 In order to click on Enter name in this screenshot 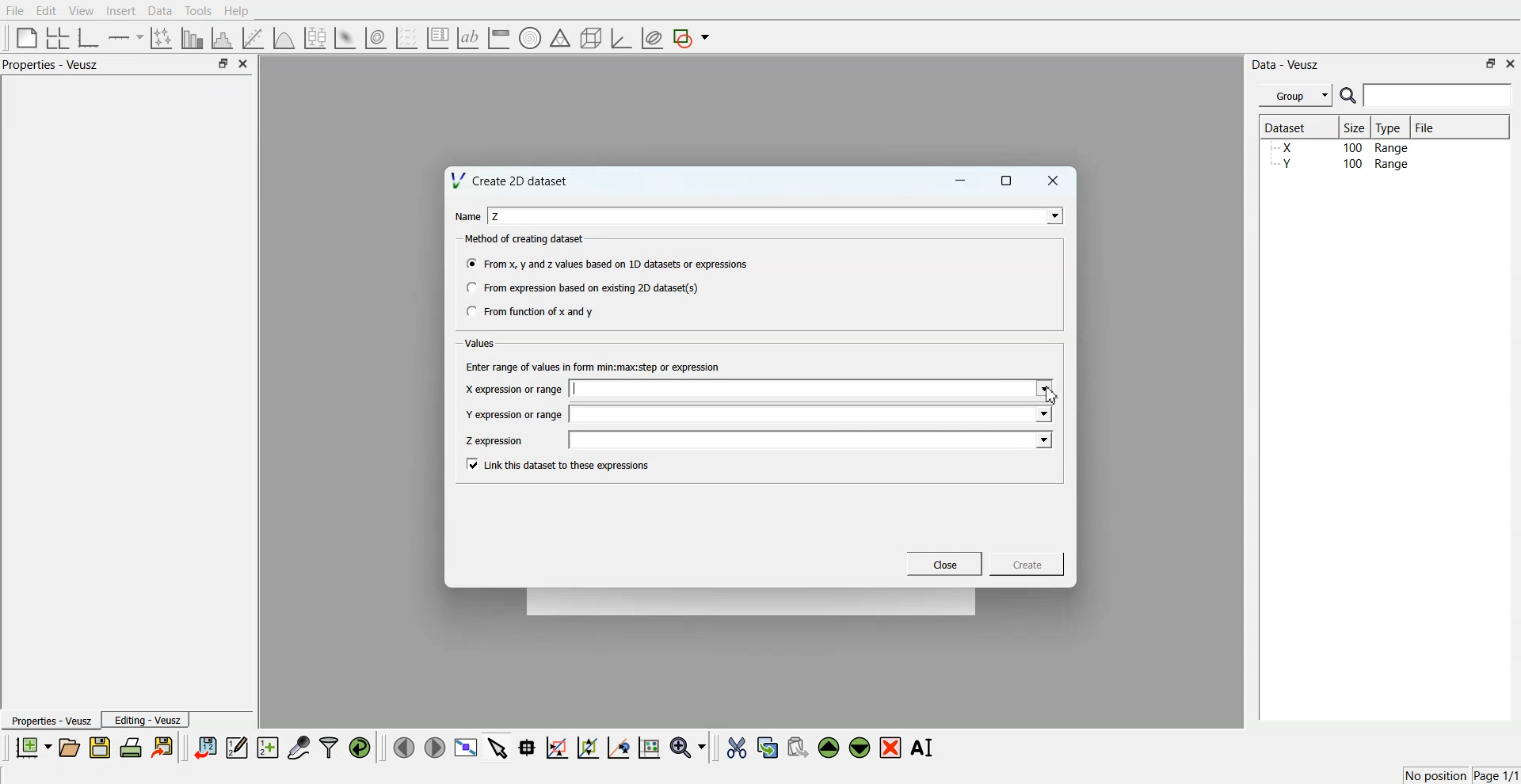, I will do `click(814, 440)`.